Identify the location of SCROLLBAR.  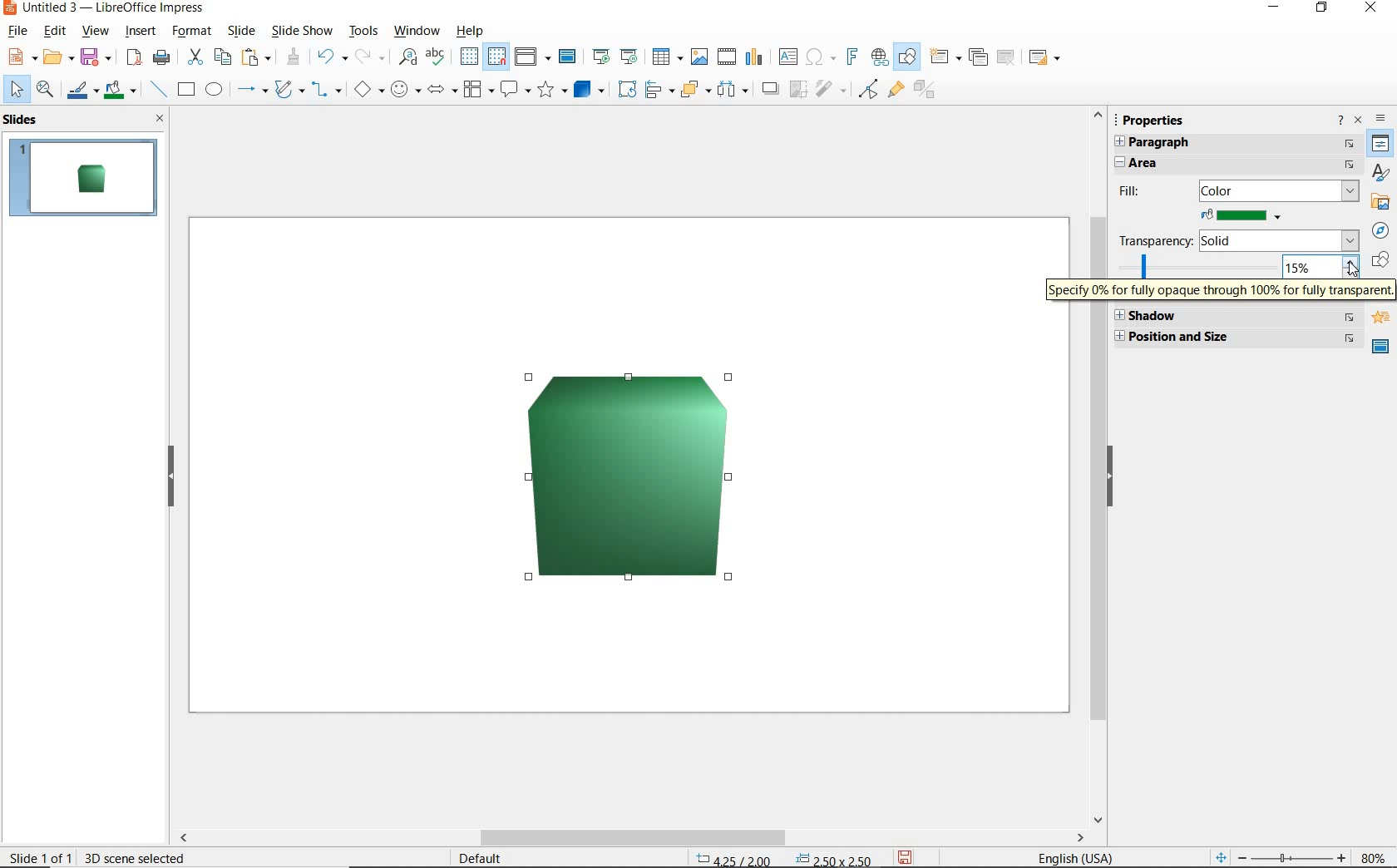
(1093, 565).